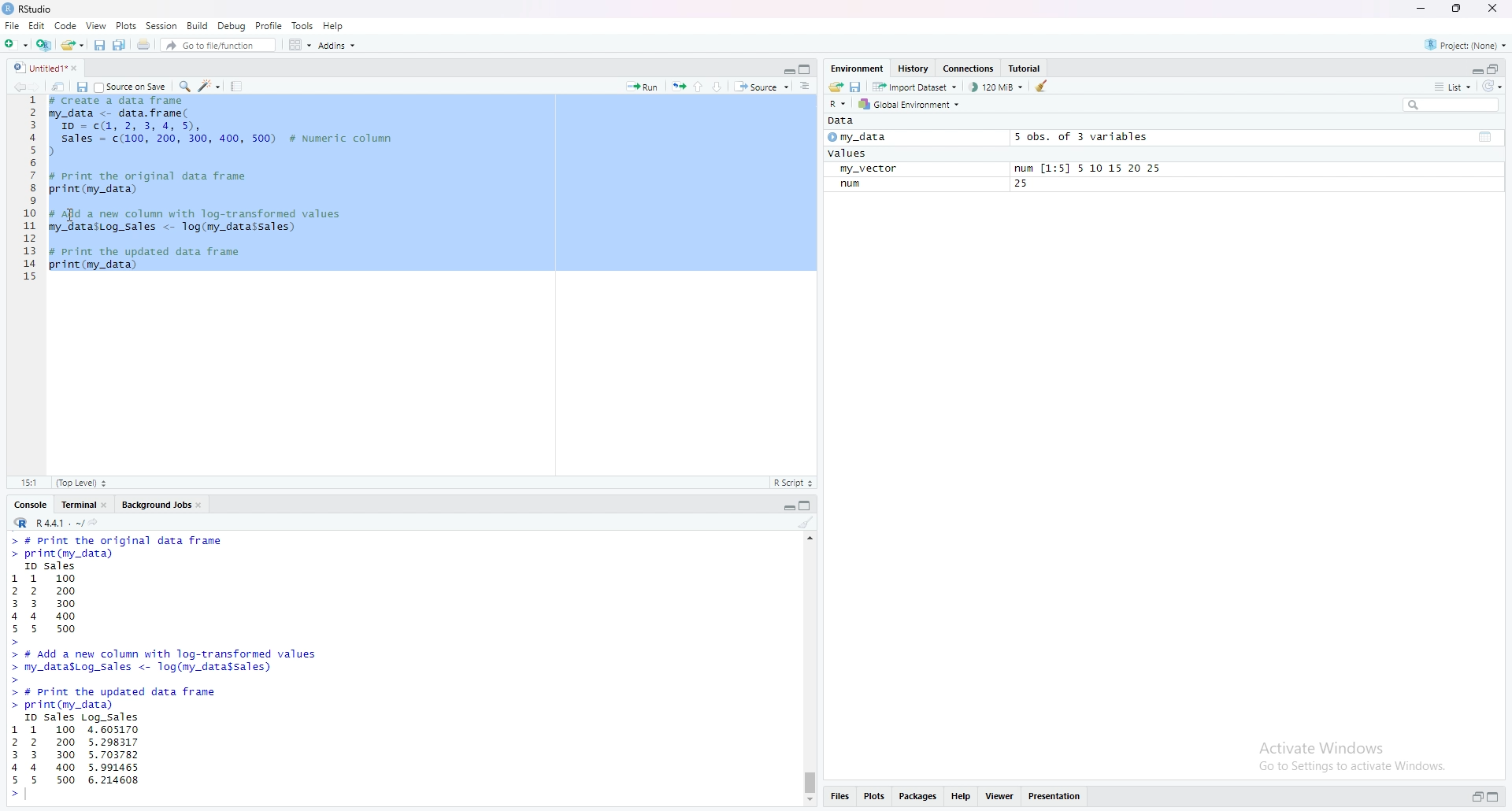 The width and height of the screenshot is (1512, 811). What do you see at coordinates (915, 106) in the screenshot?
I see `global environment` at bounding box center [915, 106].